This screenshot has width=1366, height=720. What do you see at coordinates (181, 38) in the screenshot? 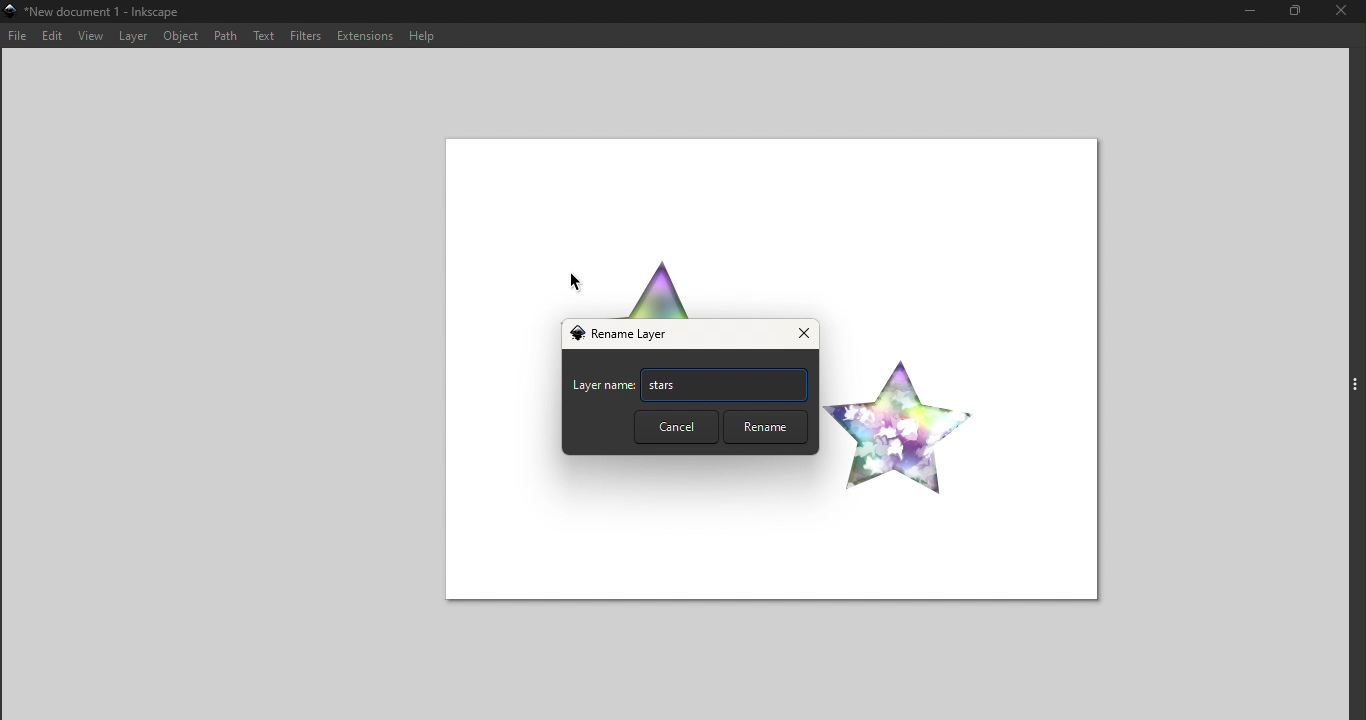
I see `object` at bounding box center [181, 38].